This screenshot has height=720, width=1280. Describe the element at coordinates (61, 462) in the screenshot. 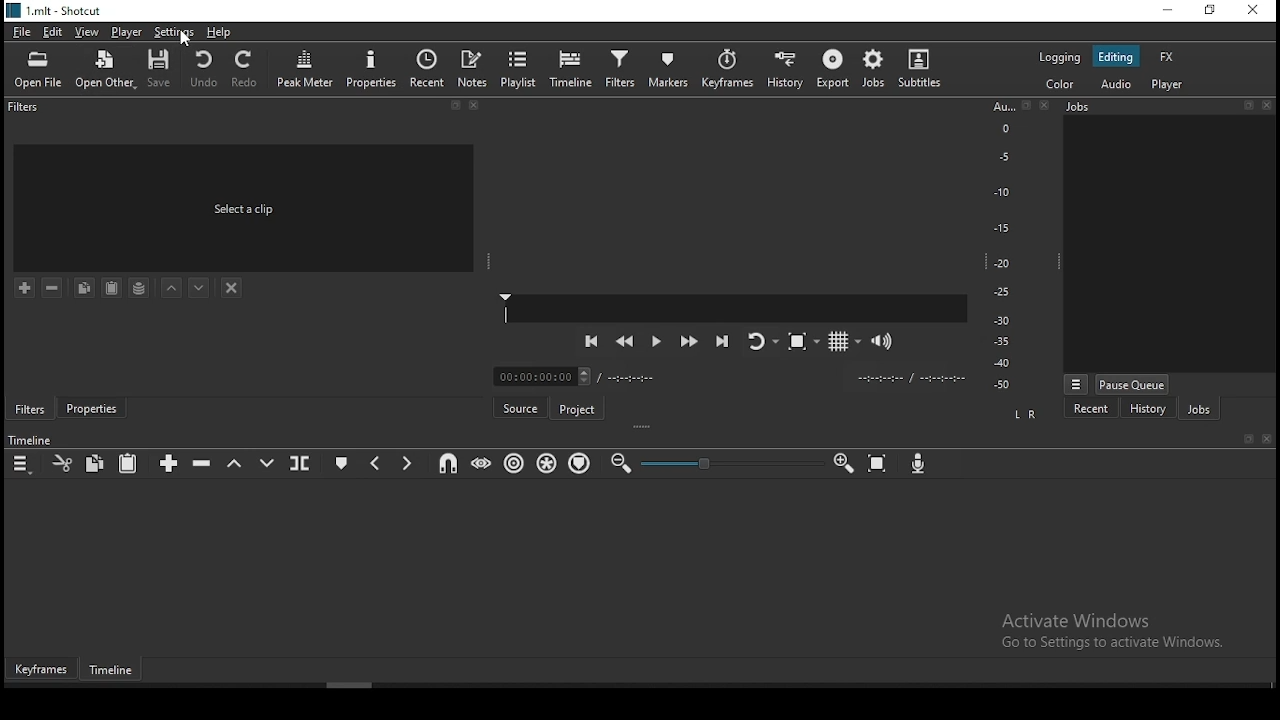

I see `cut` at that location.